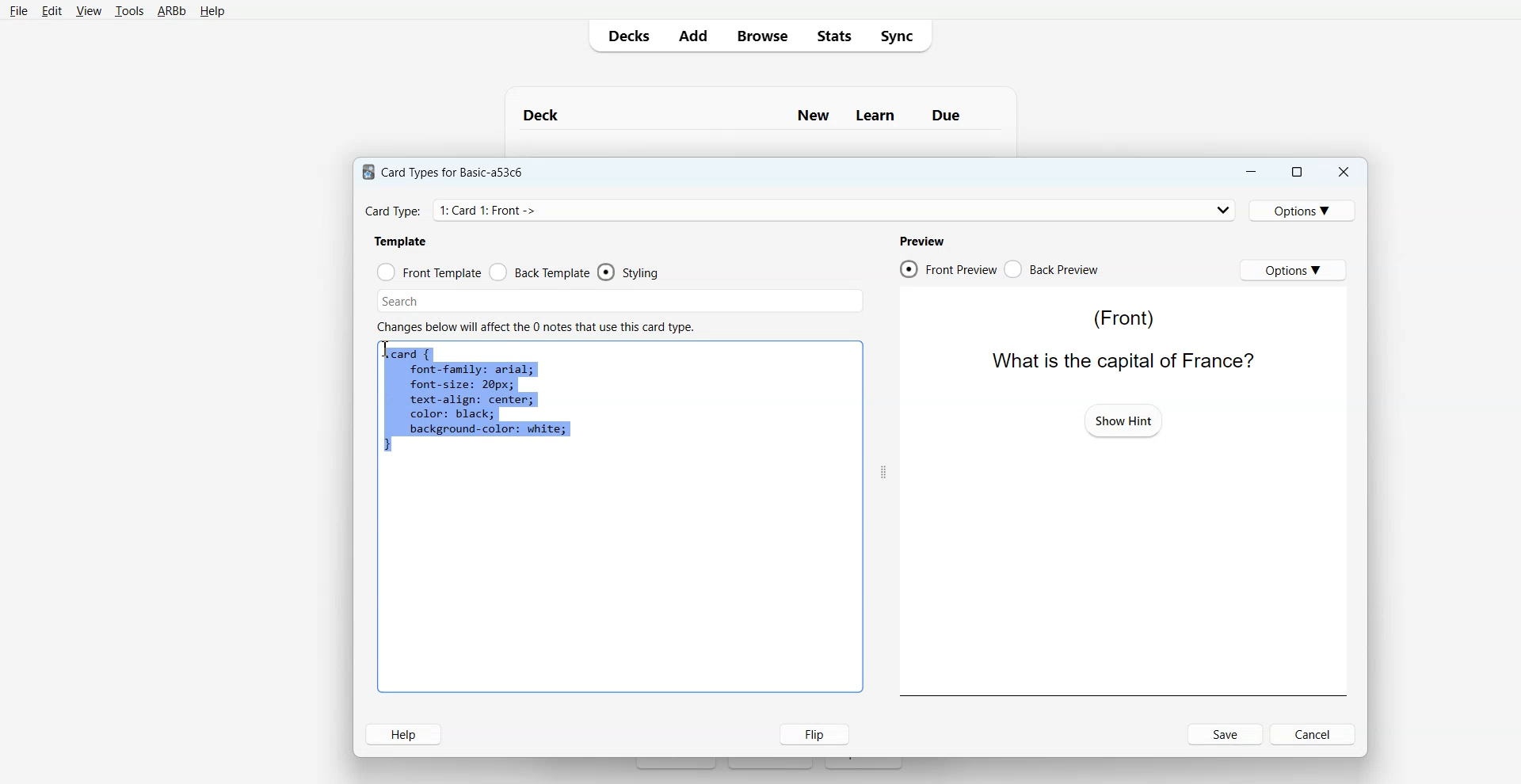 This screenshot has height=784, width=1521. Describe the element at coordinates (1123, 420) in the screenshot. I see `Show Hint` at that location.